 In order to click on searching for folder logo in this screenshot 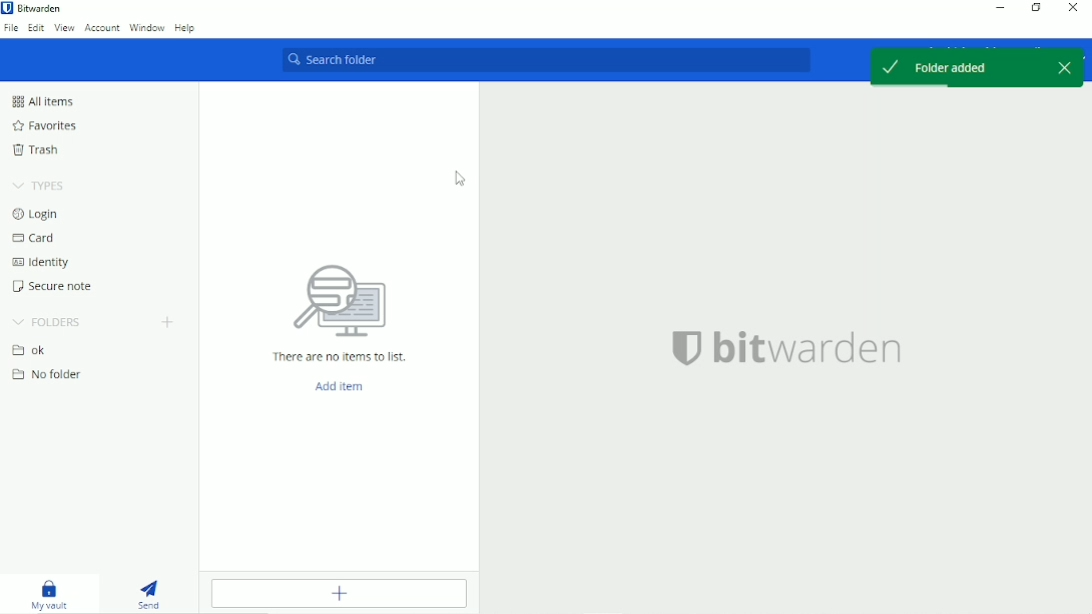, I will do `click(339, 298)`.